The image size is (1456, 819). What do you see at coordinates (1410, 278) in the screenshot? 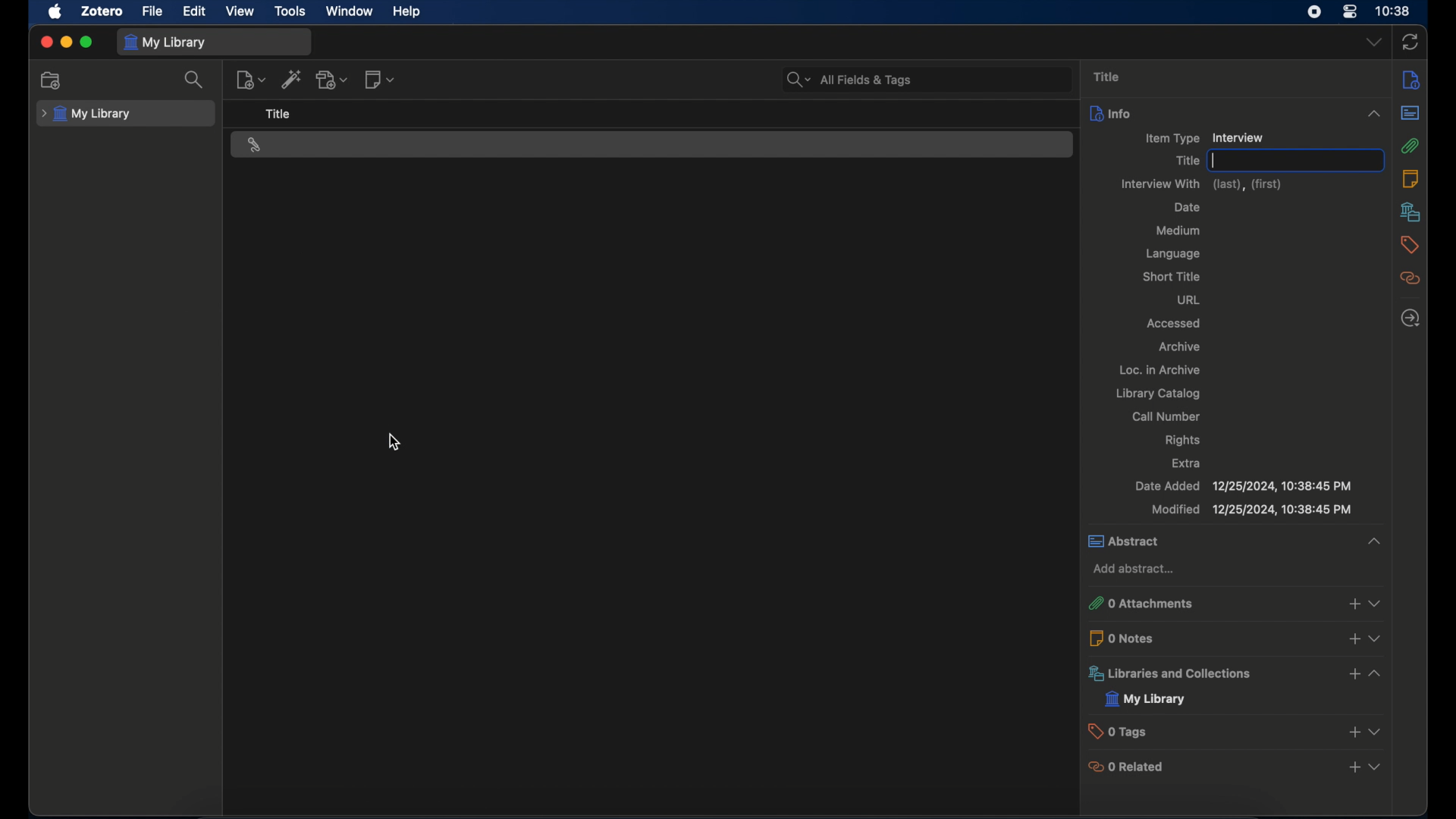
I see `related` at bounding box center [1410, 278].